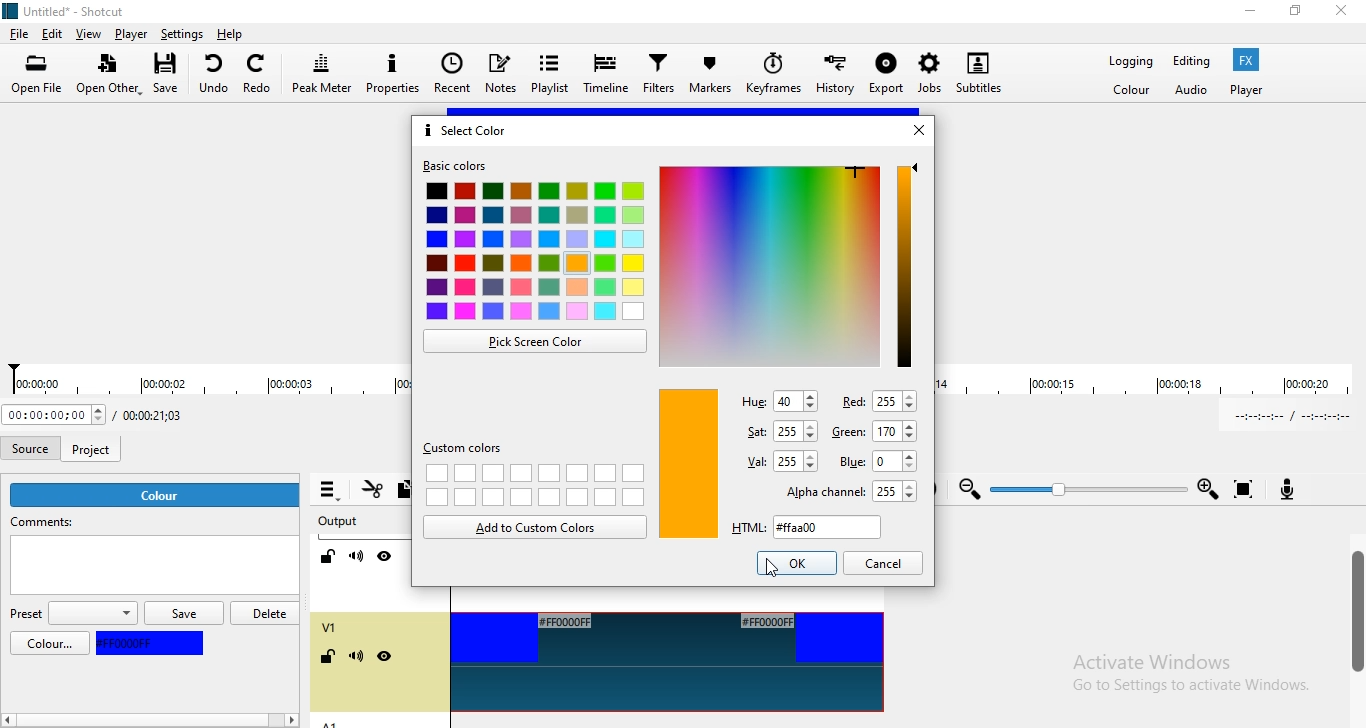  I want to click on Activate Windows |
Go to Settings to activate Windows., so click(1182, 681).